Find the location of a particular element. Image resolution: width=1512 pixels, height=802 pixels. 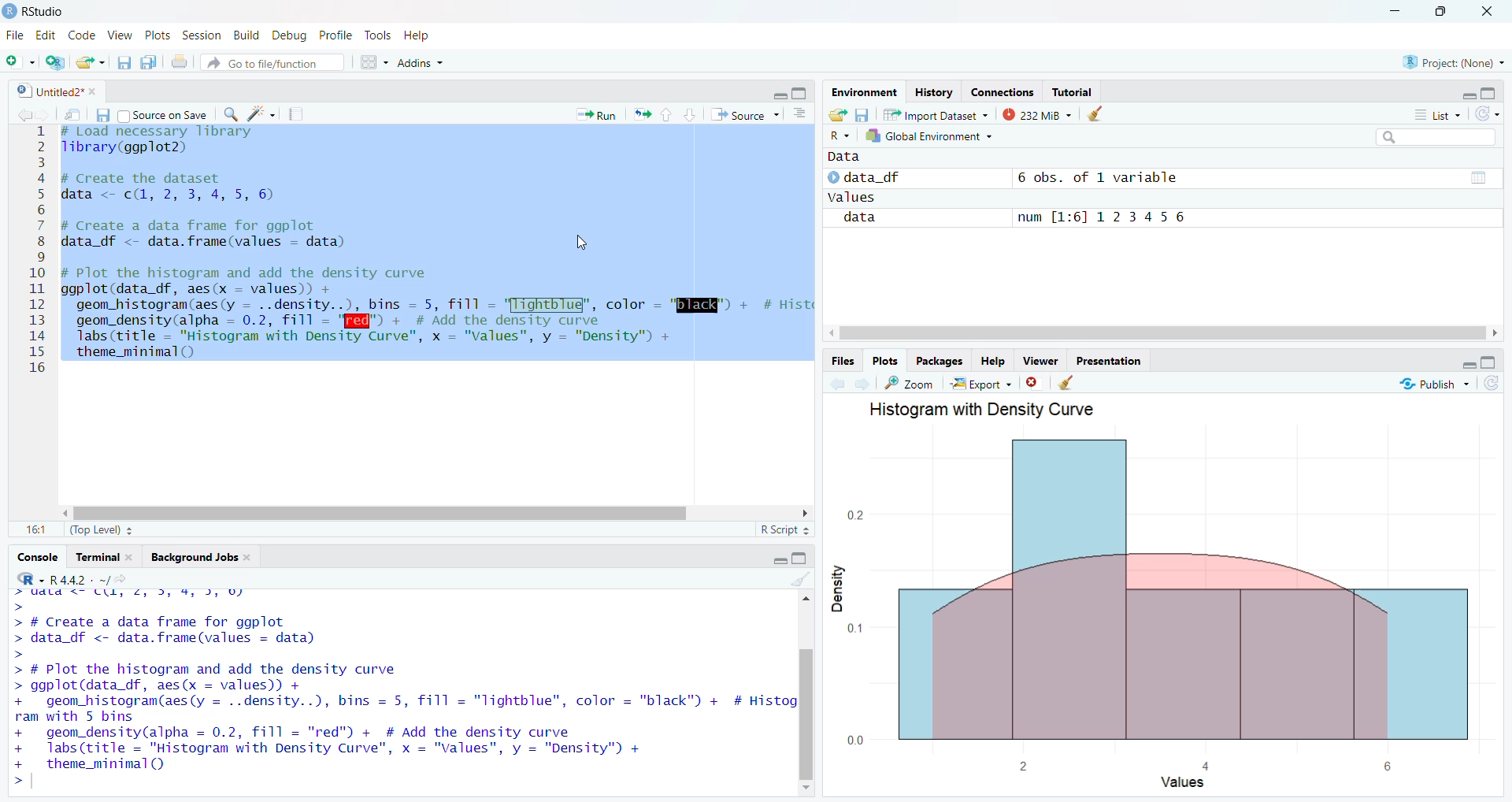

save current document is located at coordinates (102, 113).